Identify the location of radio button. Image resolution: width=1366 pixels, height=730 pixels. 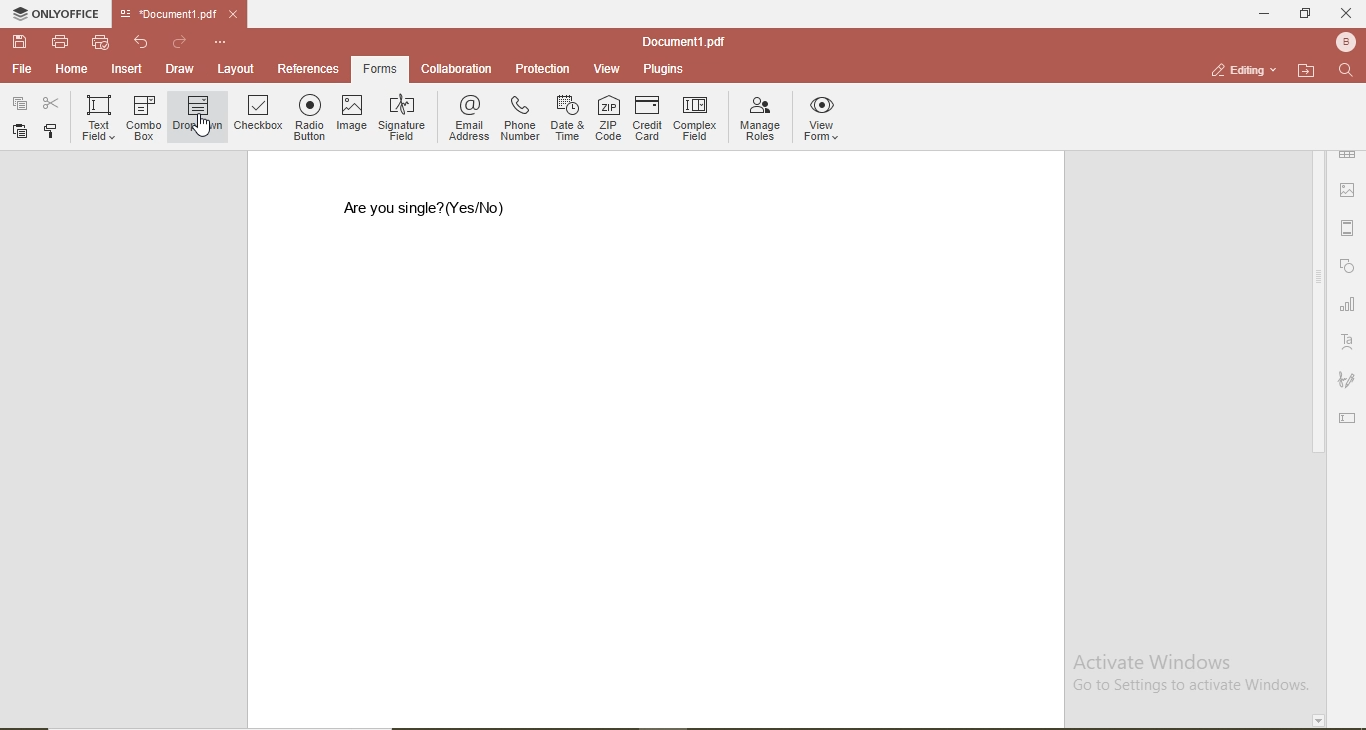
(312, 115).